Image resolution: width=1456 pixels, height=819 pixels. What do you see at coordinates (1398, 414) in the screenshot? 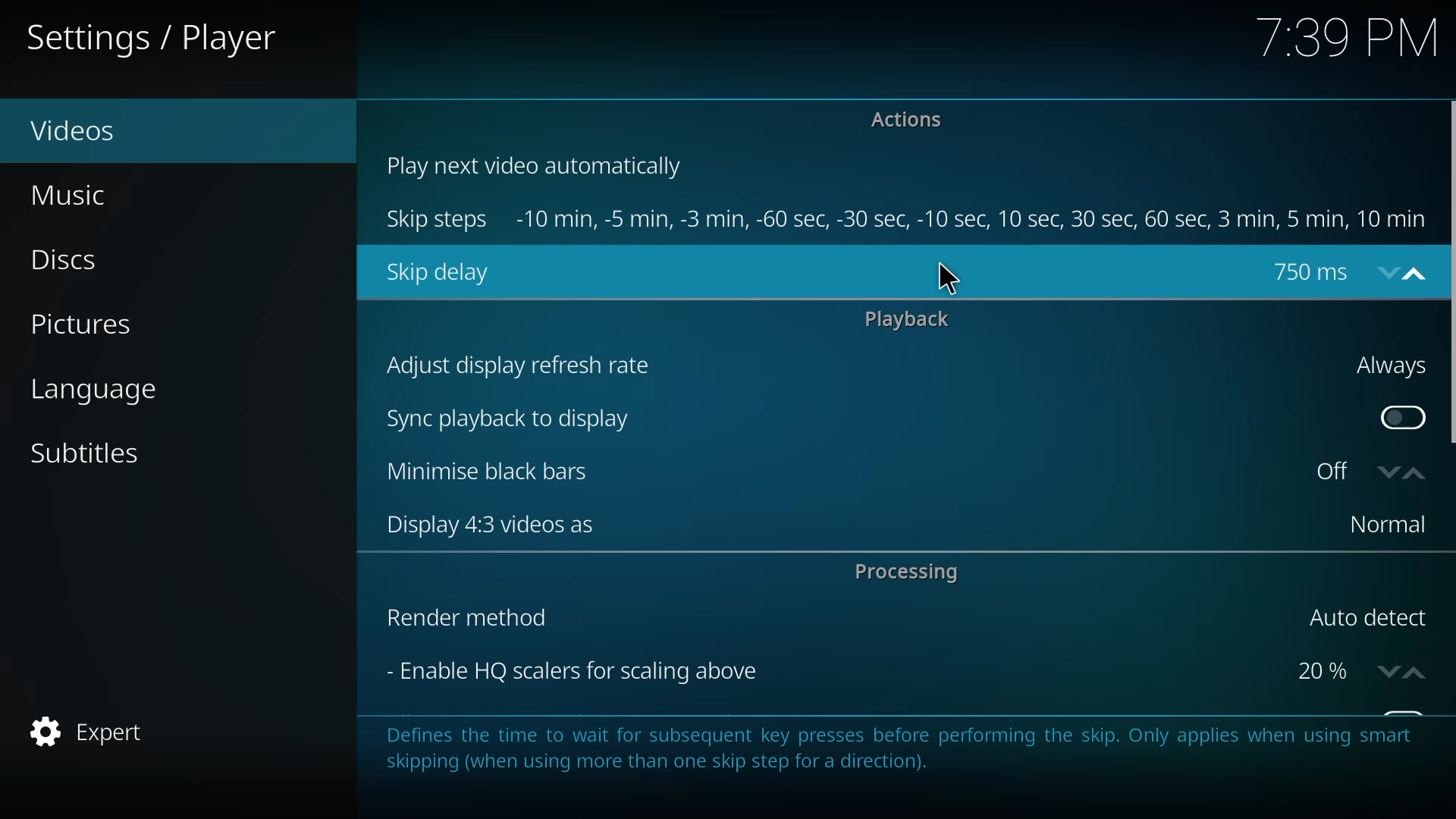
I see `enable` at bounding box center [1398, 414].